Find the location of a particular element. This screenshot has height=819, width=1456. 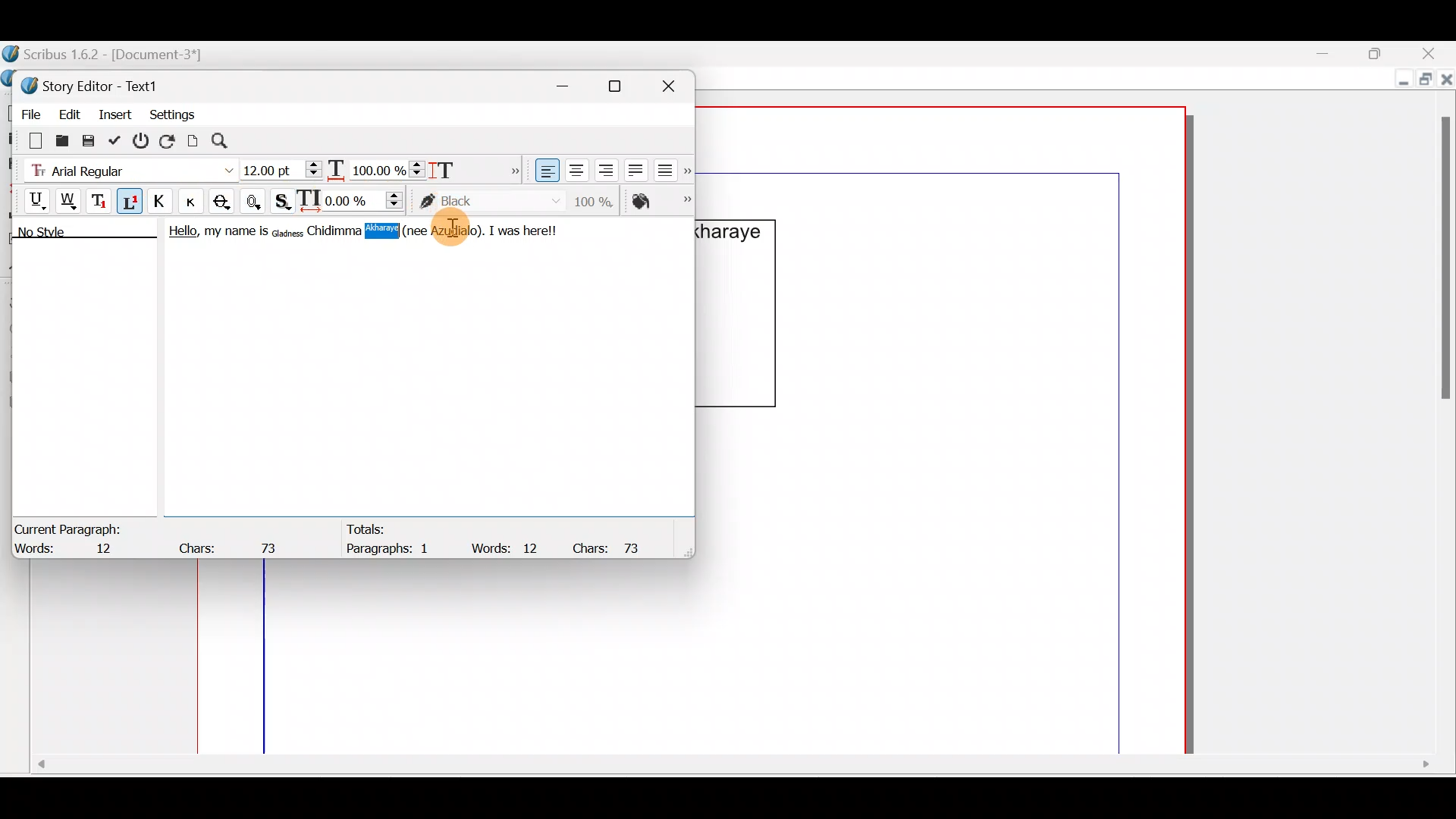

(nee is located at coordinates (434, 230).